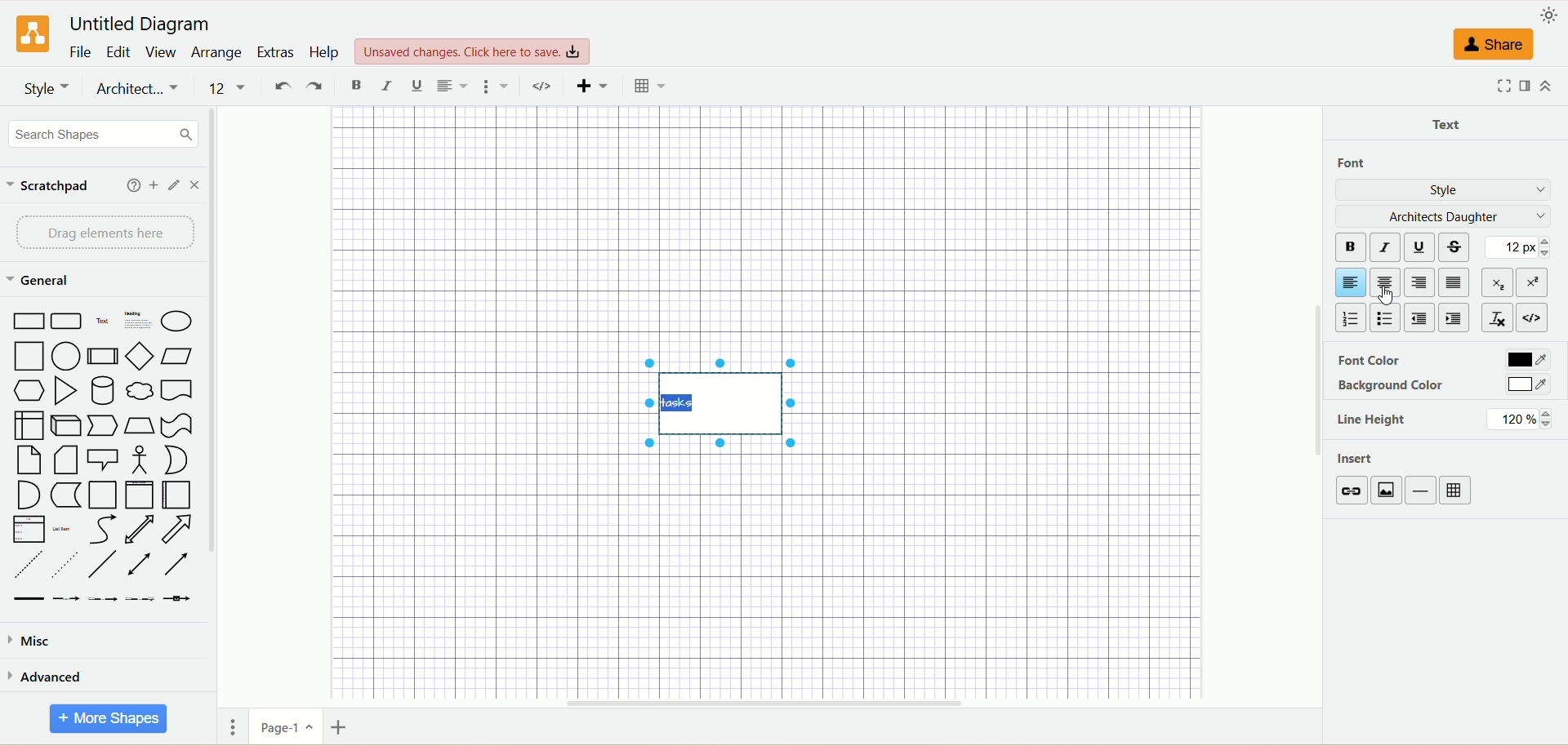  Describe the element at coordinates (105, 134) in the screenshot. I see `search shapes` at that location.